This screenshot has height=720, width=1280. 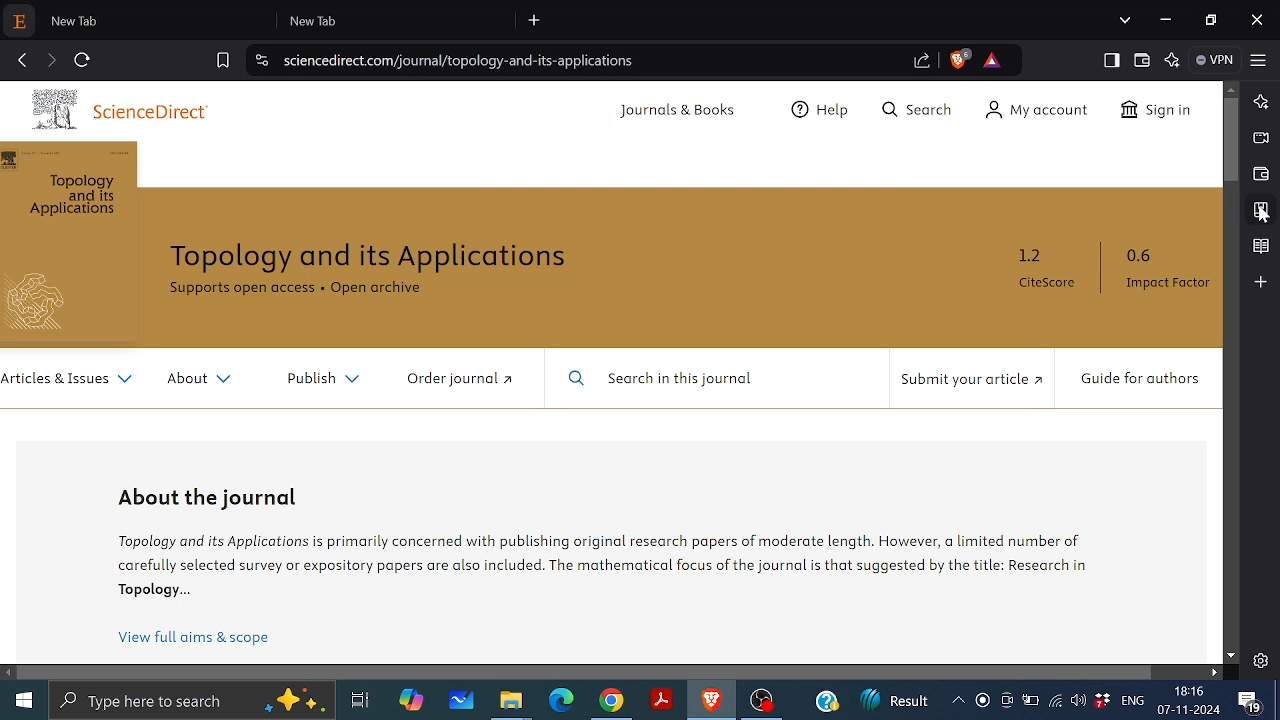 I want to click on Web address of the current tab, so click(x=462, y=60).